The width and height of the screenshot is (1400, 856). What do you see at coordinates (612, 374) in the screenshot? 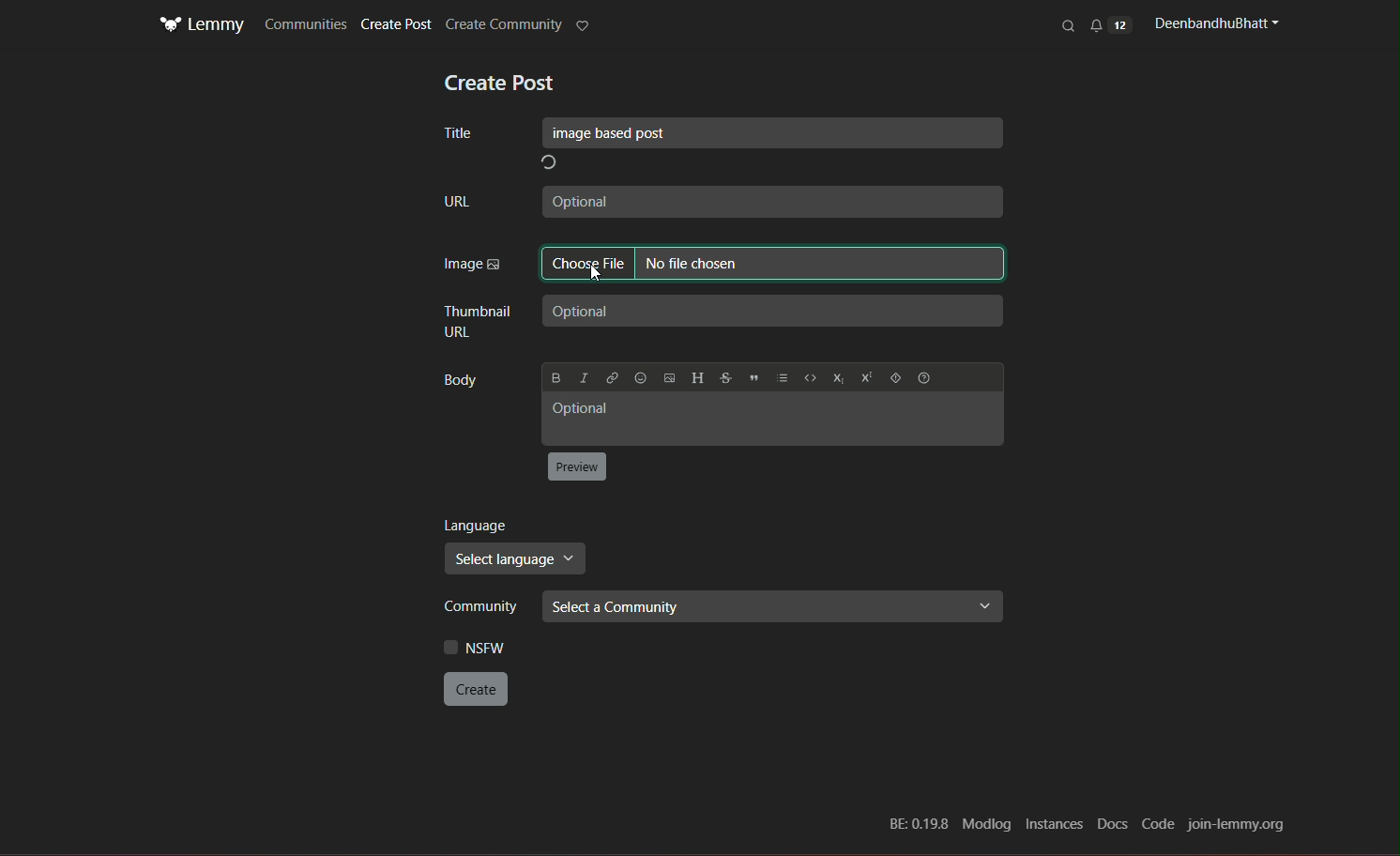
I see `link` at bounding box center [612, 374].